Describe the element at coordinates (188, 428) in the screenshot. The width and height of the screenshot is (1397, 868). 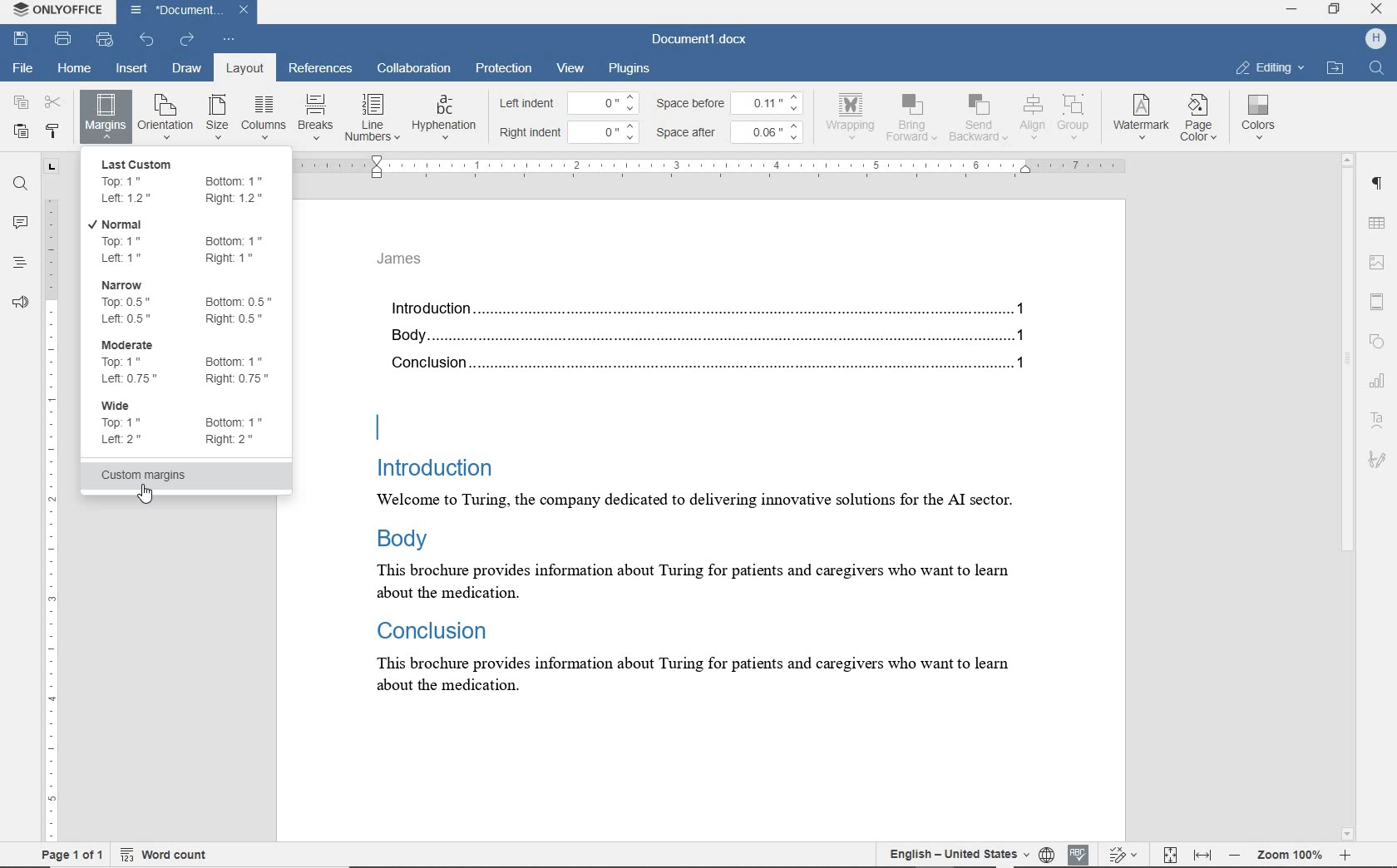
I see `wide` at that location.